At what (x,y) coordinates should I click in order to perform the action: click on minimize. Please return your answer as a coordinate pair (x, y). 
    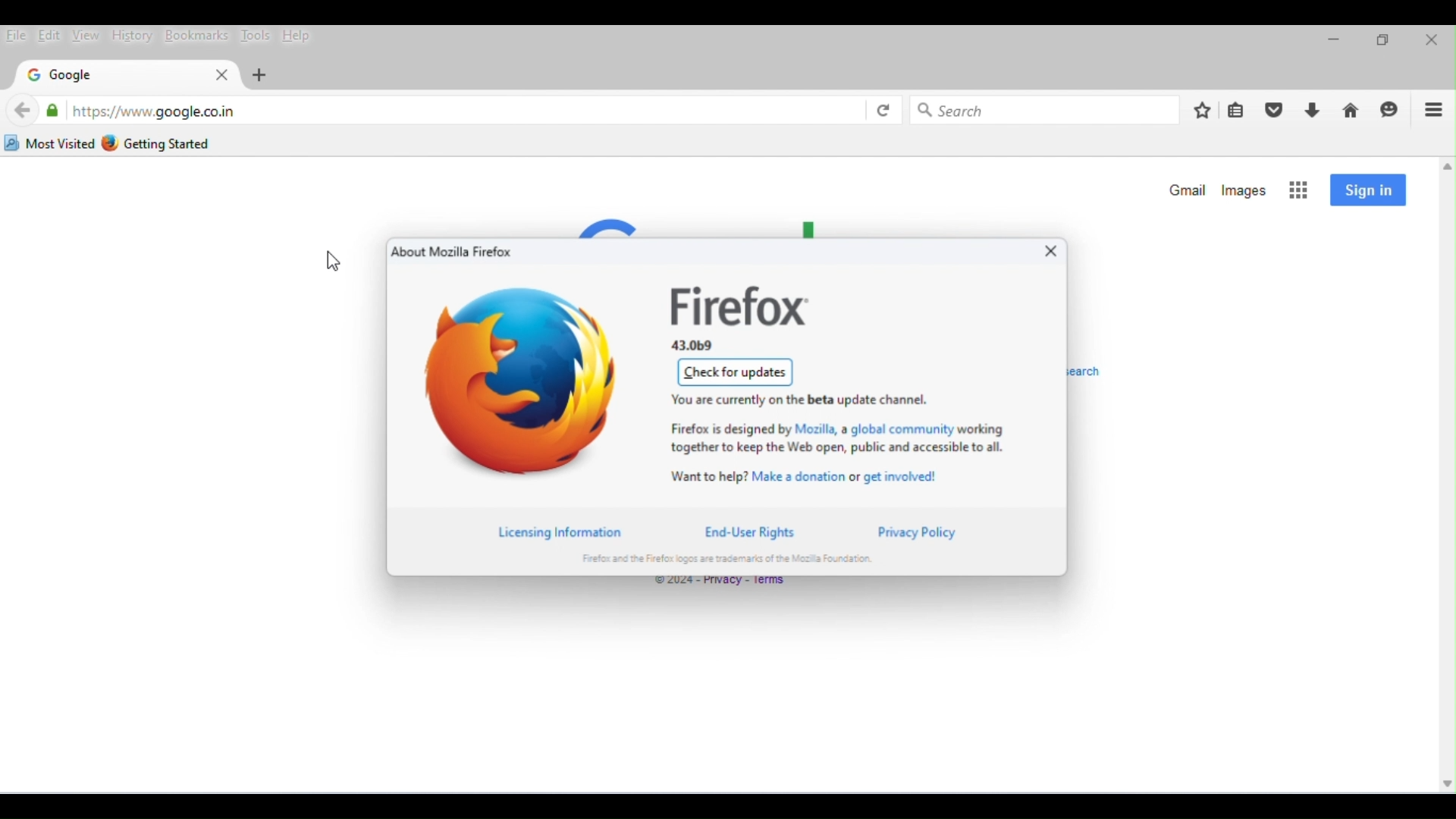
    Looking at the image, I should click on (1332, 43).